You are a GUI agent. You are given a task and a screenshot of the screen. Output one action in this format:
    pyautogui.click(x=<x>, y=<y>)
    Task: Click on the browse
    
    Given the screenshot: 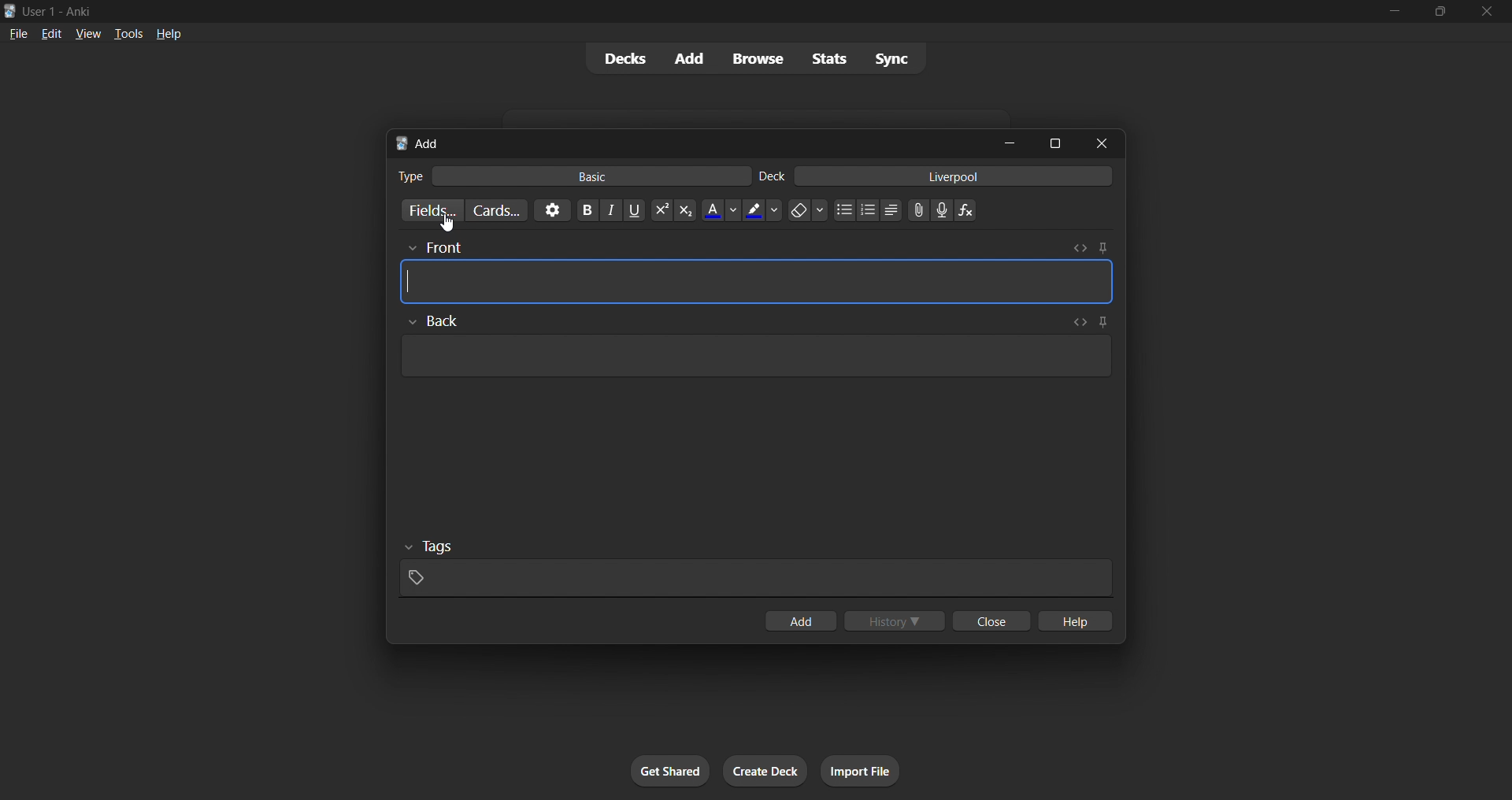 What is the action you would take?
    pyautogui.click(x=758, y=58)
    